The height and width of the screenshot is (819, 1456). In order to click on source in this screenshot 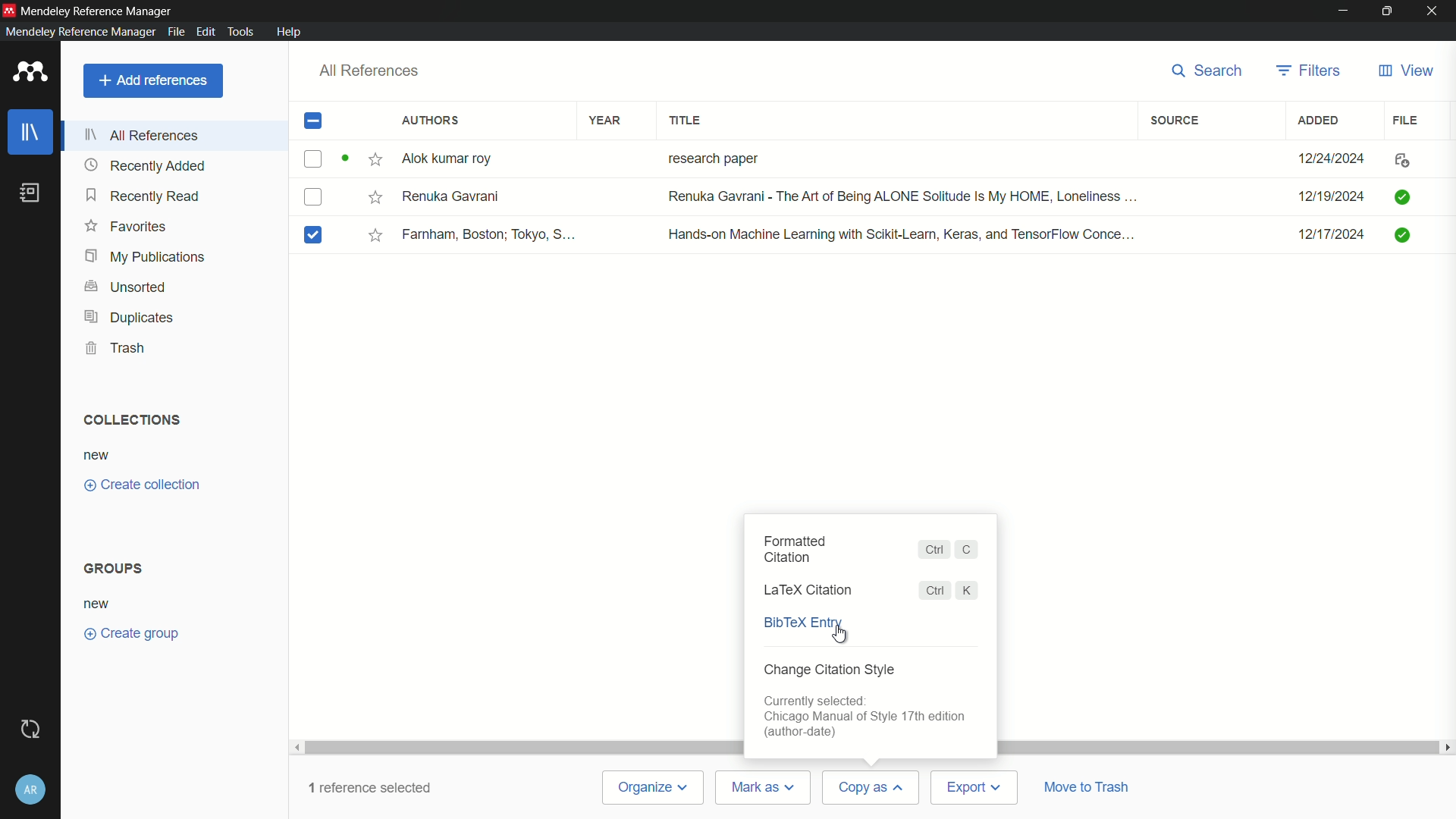, I will do `click(1178, 120)`.